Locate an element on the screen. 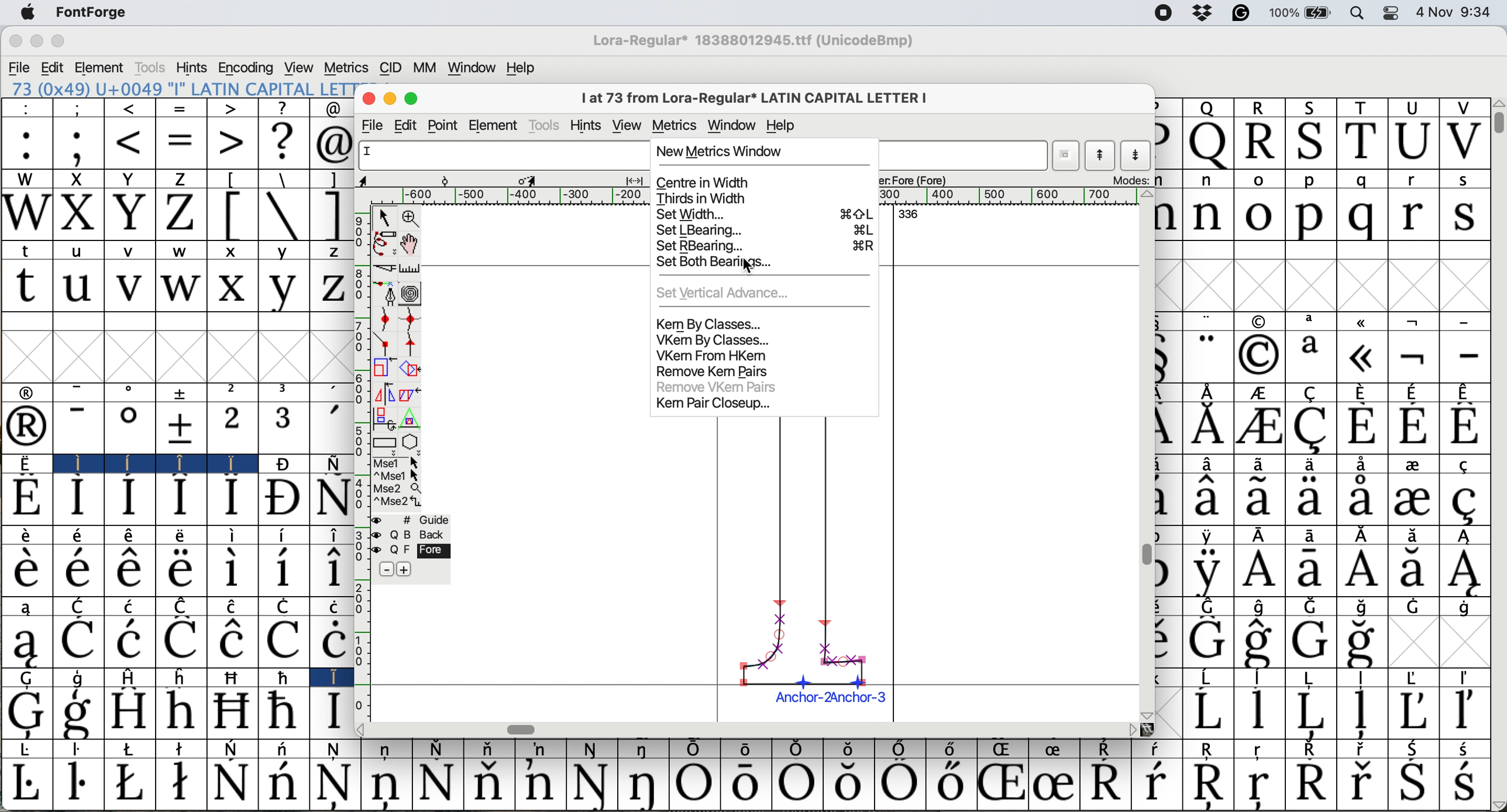 The width and height of the screenshot is (1507, 812). Symbol is located at coordinates (26, 463).